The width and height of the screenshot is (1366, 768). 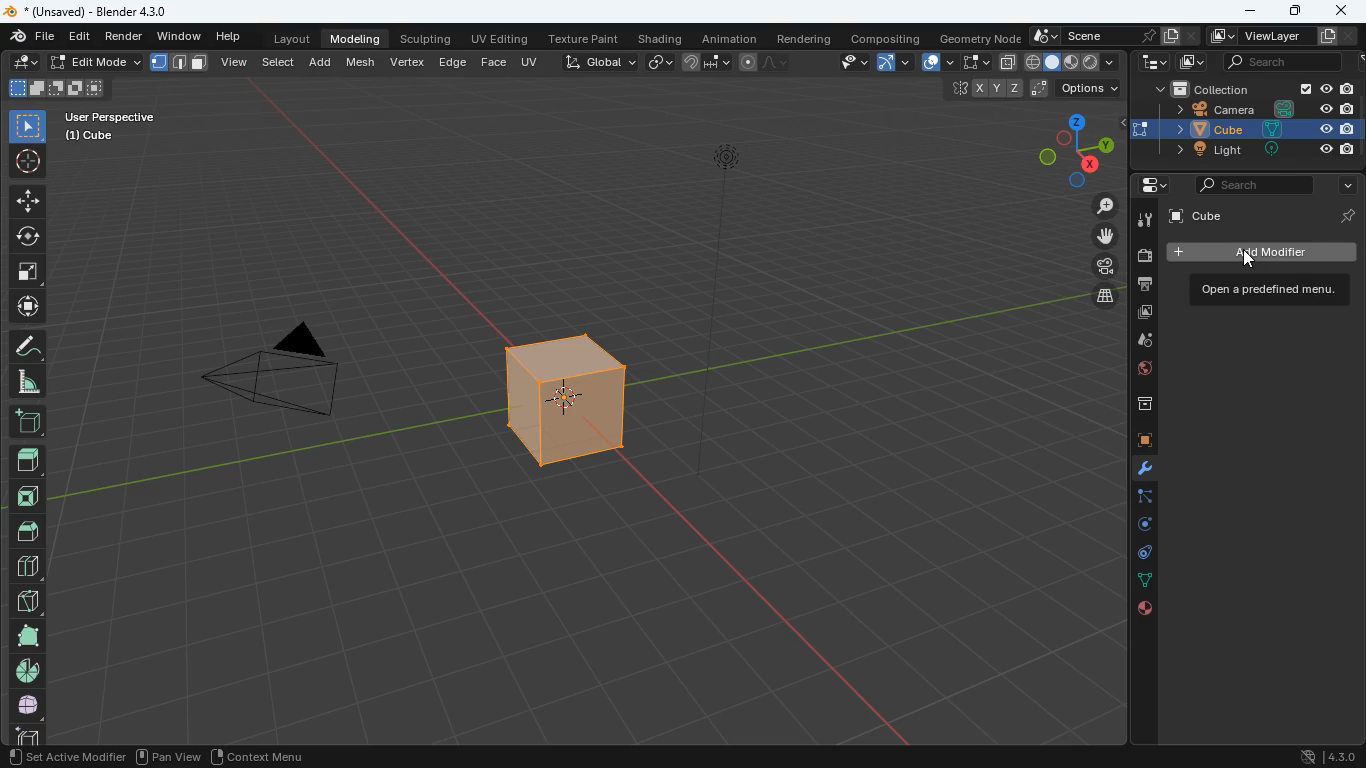 I want to click on blender, so click(x=81, y=11).